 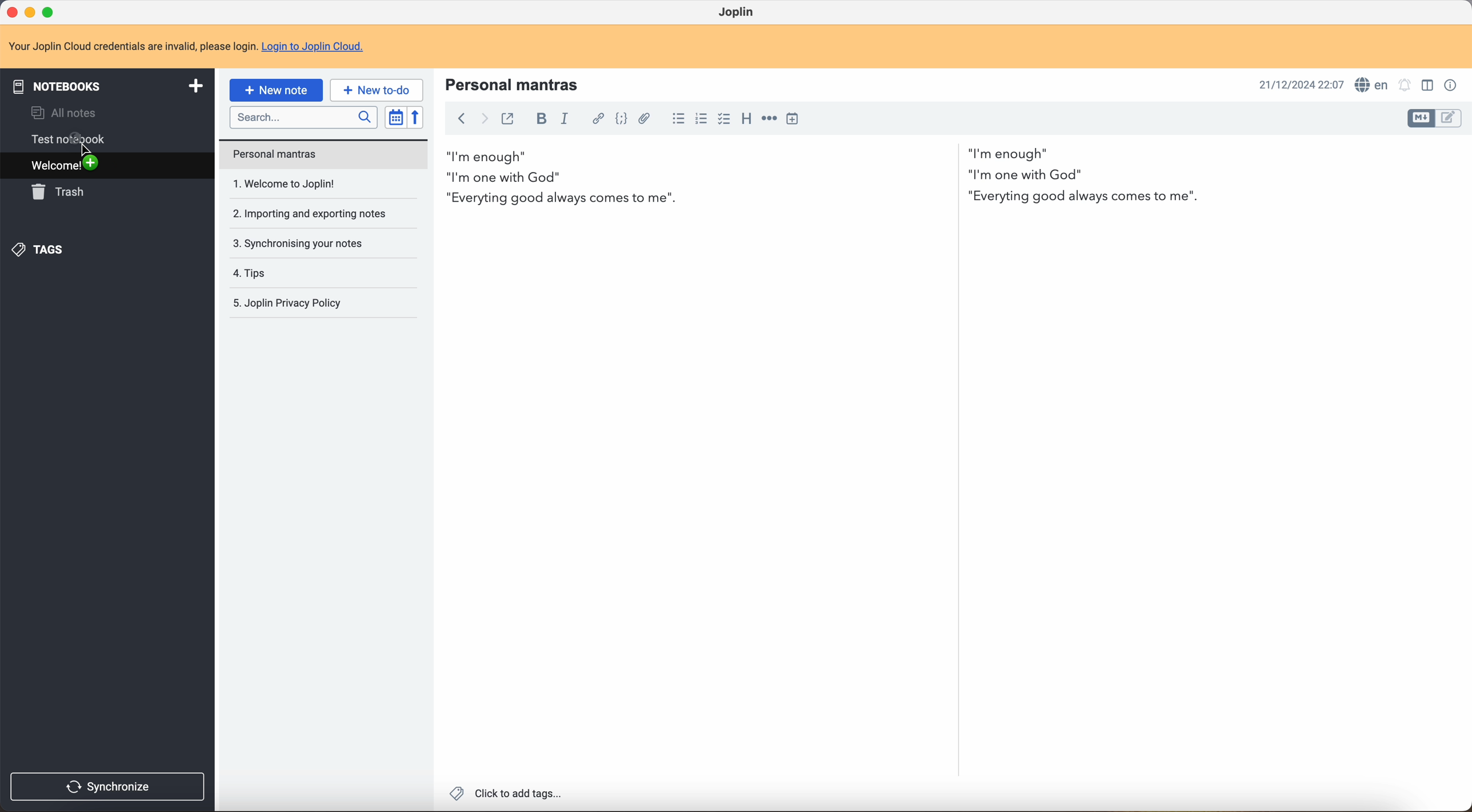 I want to click on personal mantras note, so click(x=324, y=154).